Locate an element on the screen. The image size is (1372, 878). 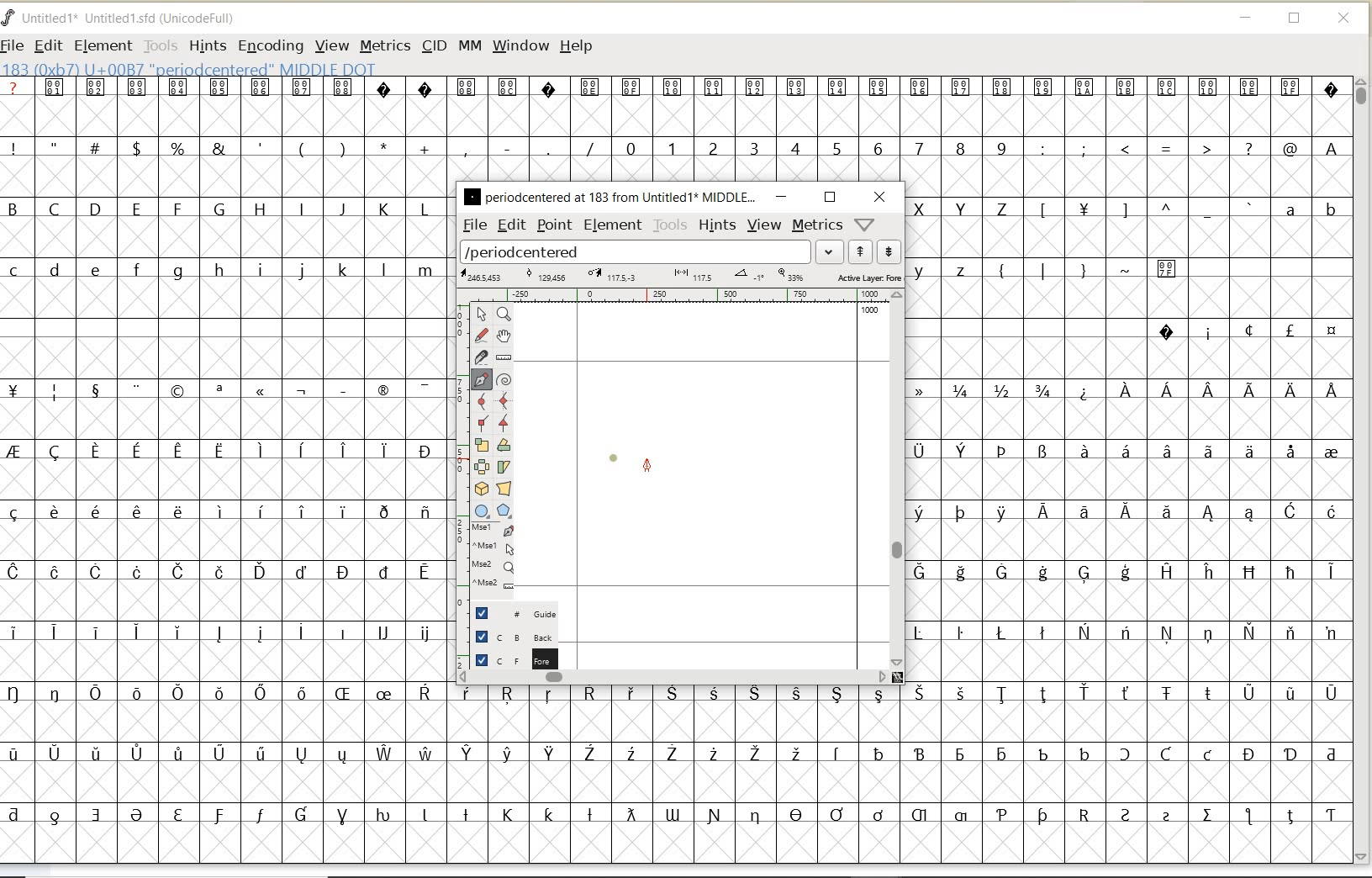
add a curve point always either horizontal or vertical is located at coordinates (504, 399).